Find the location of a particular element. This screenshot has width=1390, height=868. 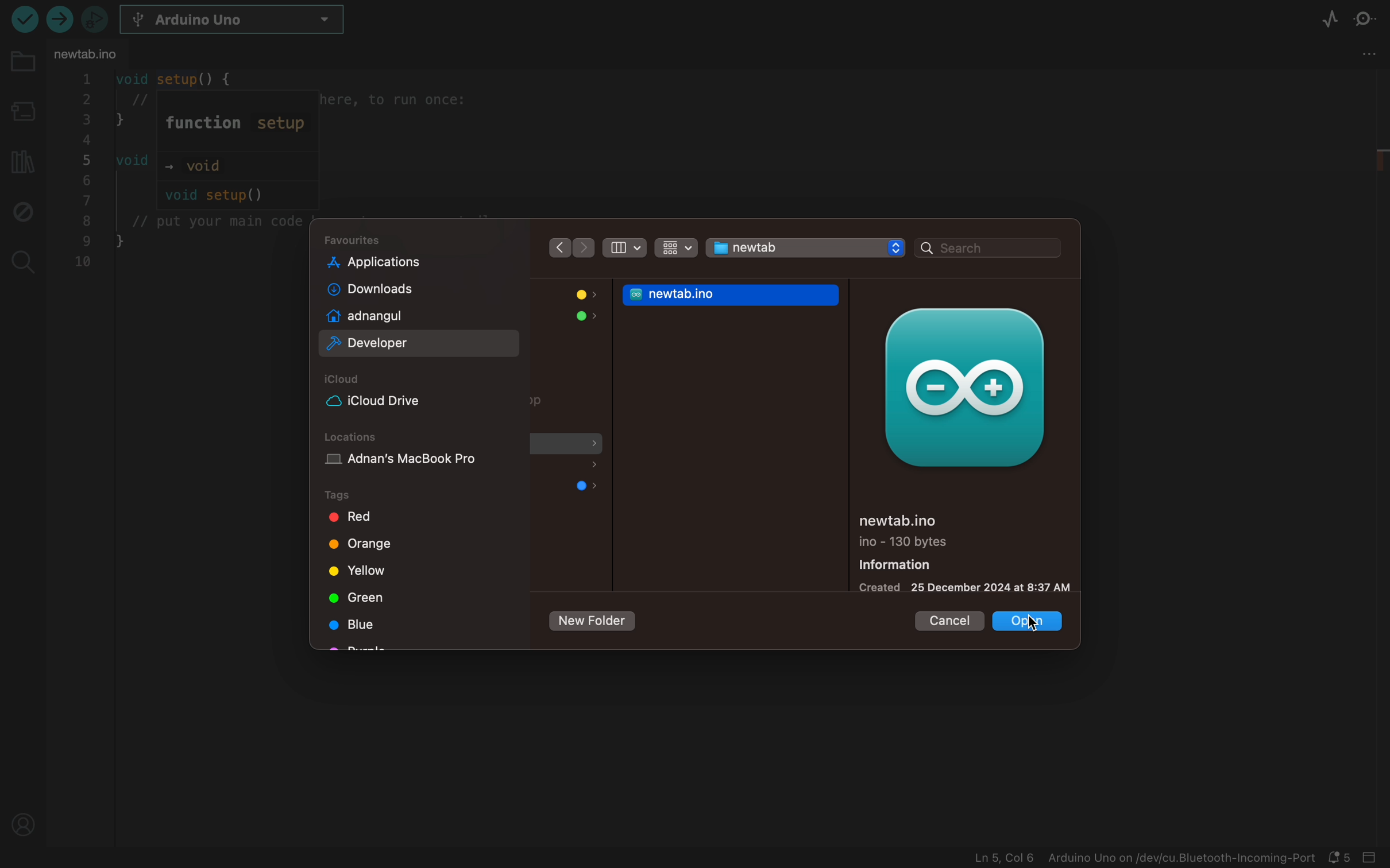

search is located at coordinates (21, 259).